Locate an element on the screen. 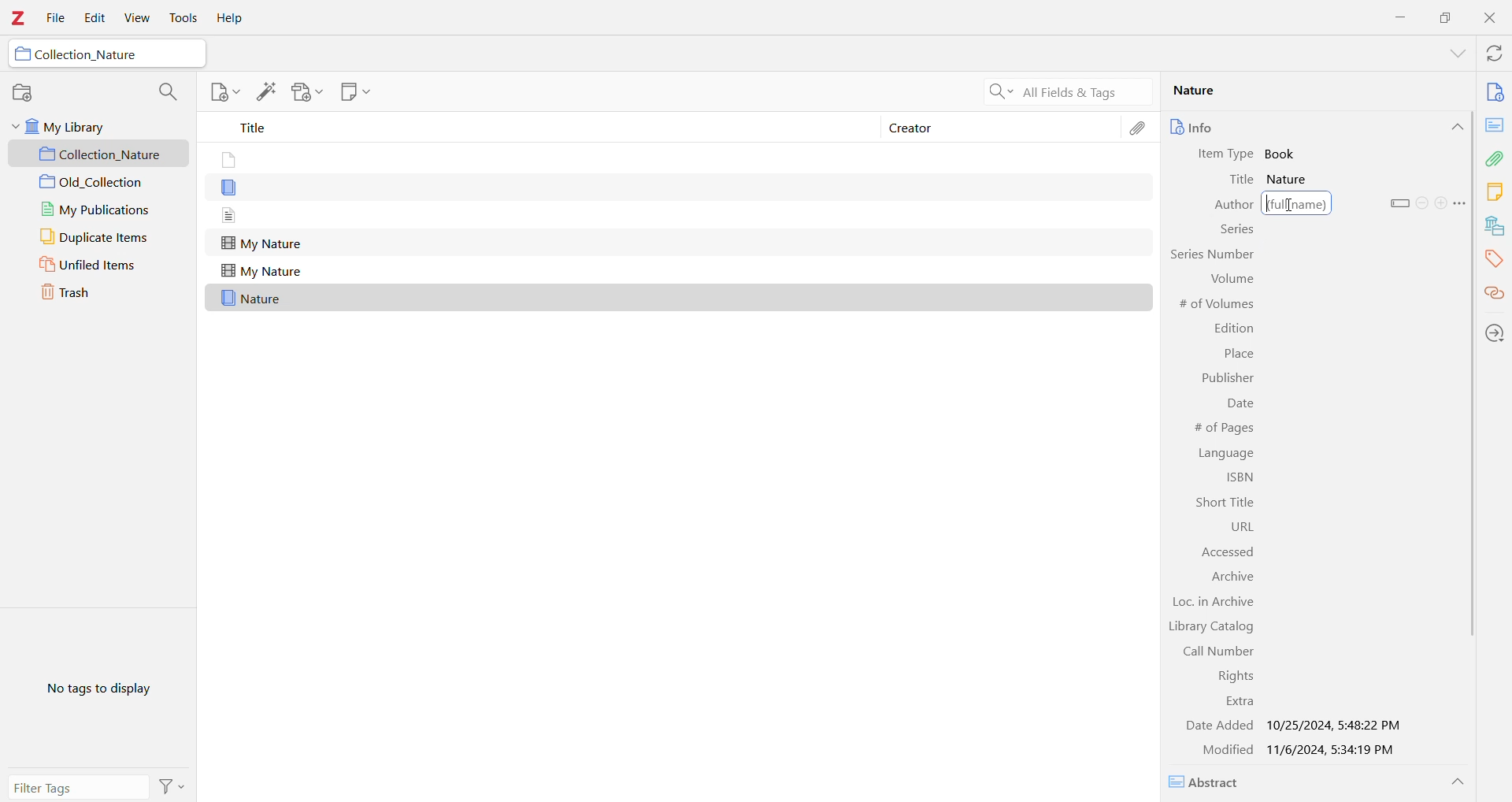  Collection_Nature is located at coordinates (101, 154).